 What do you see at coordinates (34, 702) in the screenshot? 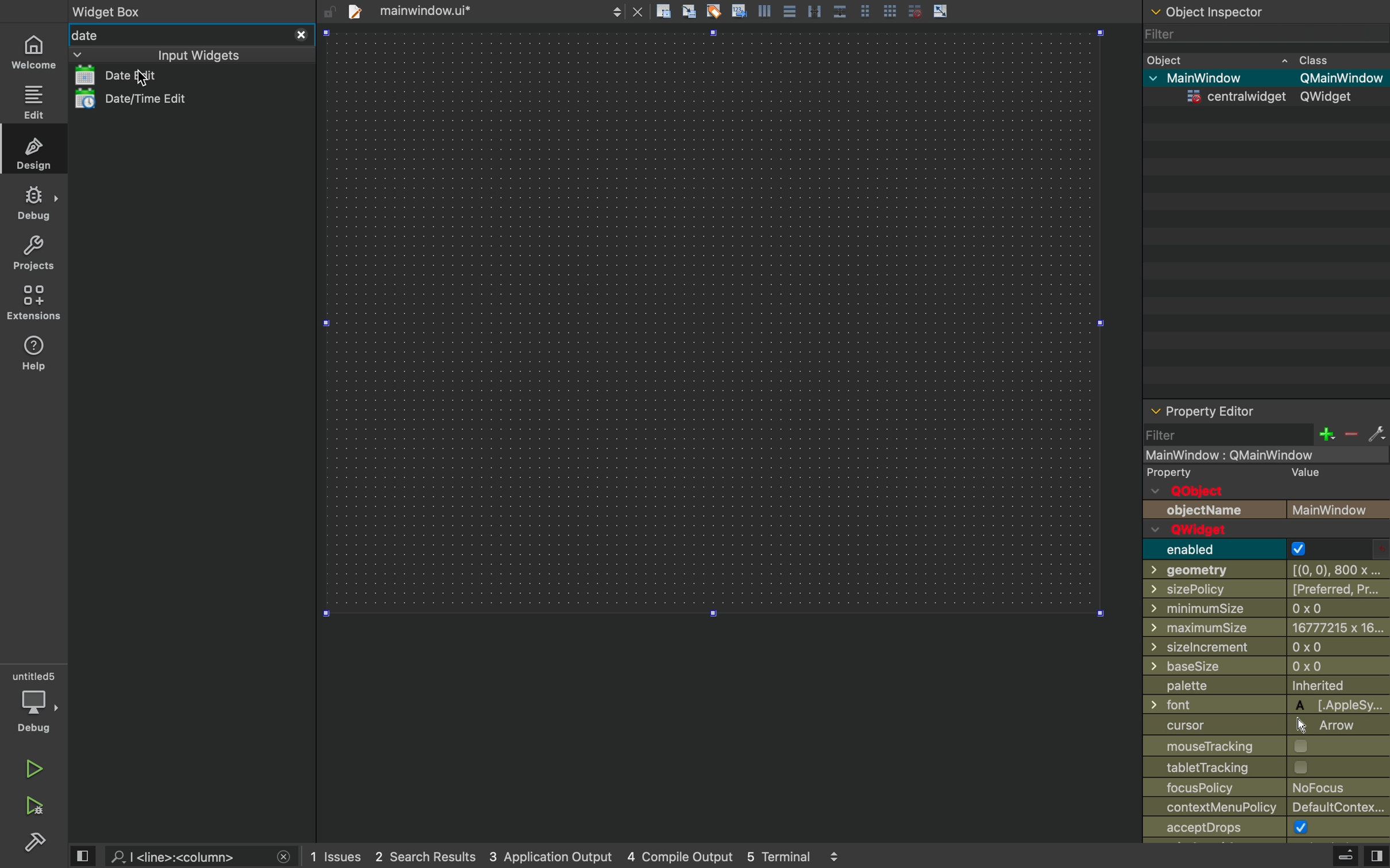
I see `debug` at bounding box center [34, 702].